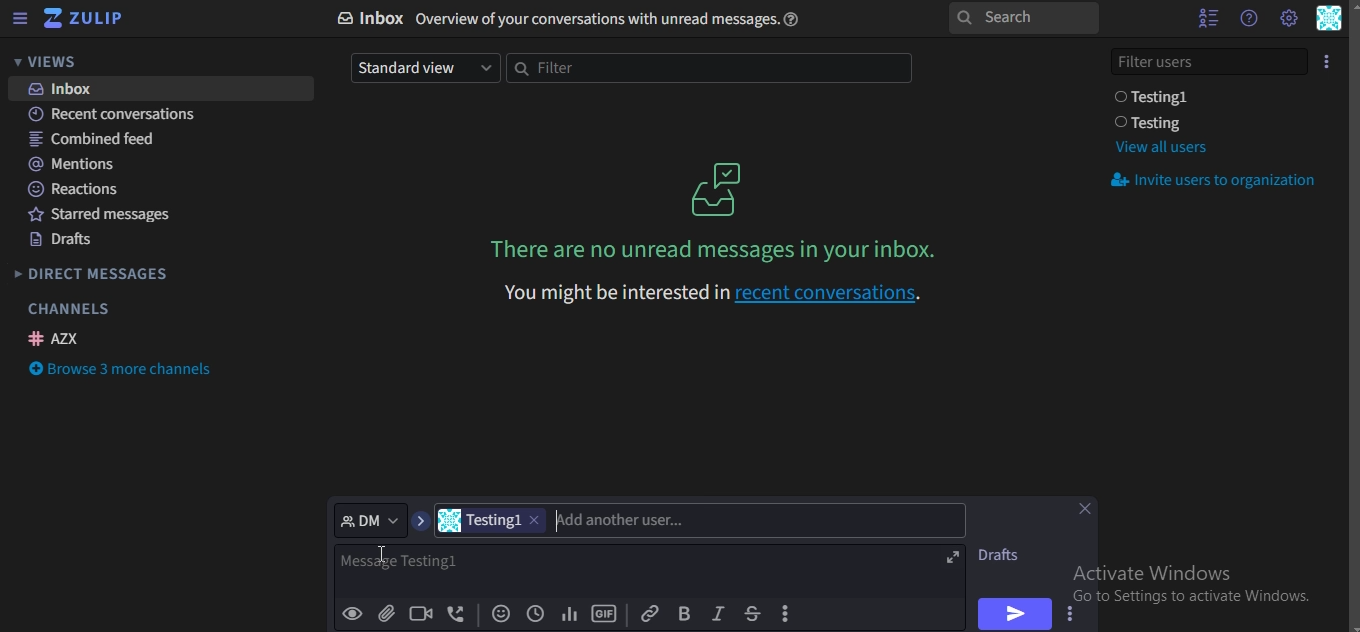  Describe the element at coordinates (76, 189) in the screenshot. I see `reactions` at that location.